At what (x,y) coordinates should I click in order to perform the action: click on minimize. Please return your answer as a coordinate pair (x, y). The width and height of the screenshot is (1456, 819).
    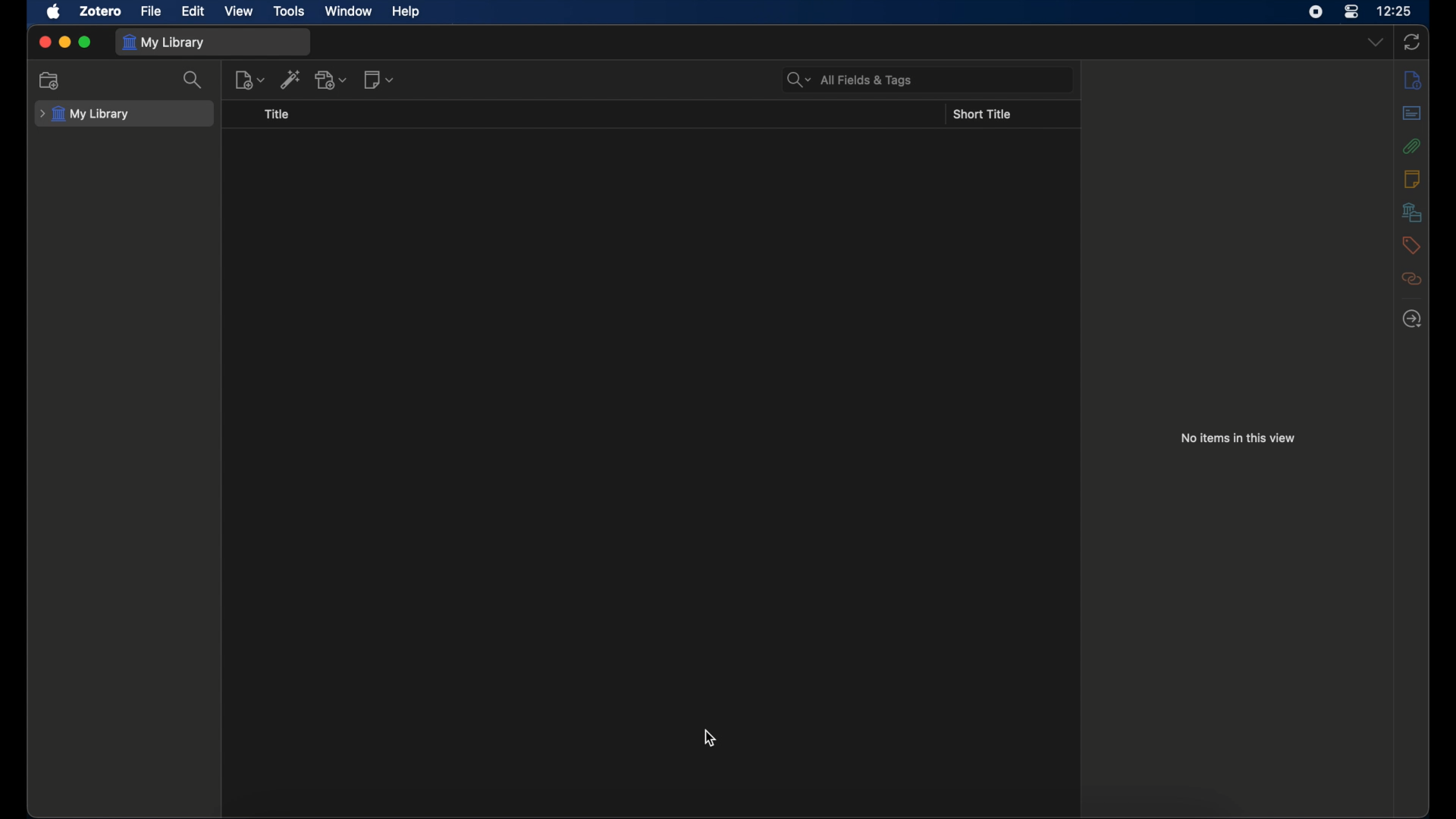
    Looking at the image, I should click on (64, 42).